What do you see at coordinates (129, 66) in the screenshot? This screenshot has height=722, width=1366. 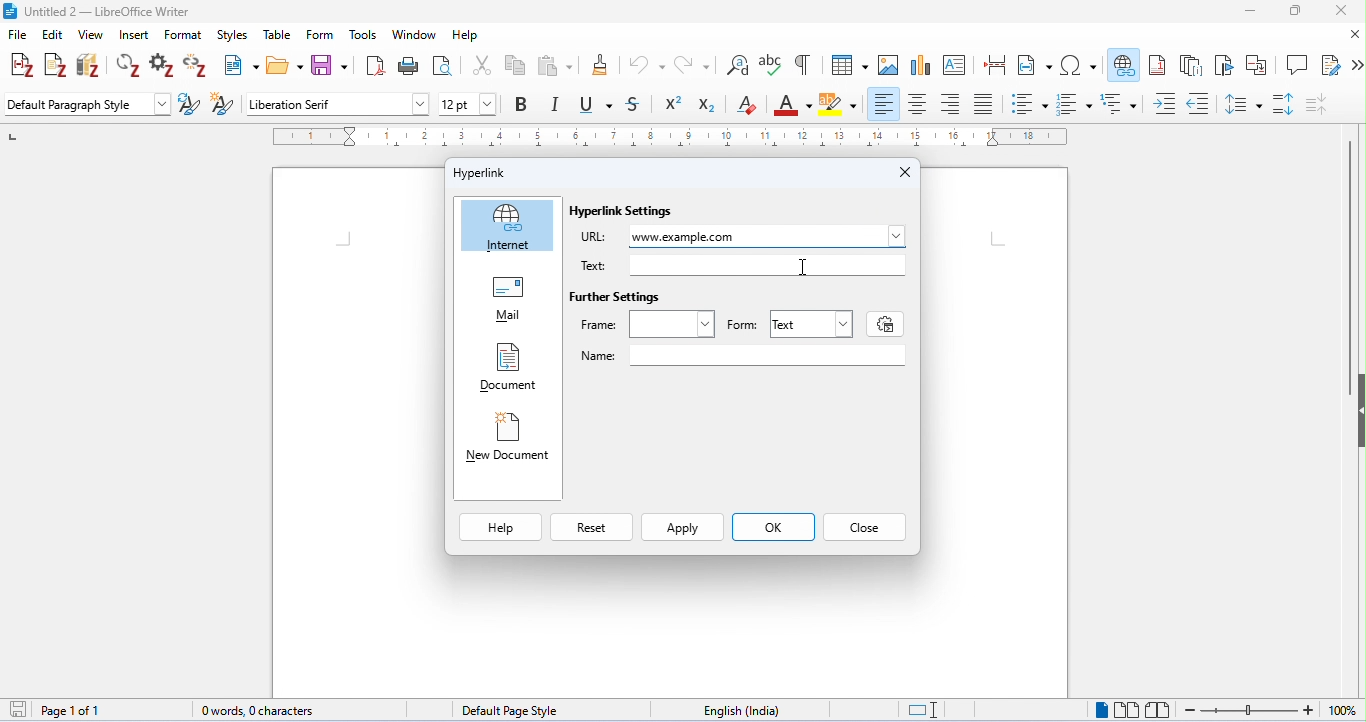 I see `refresh` at bounding box center [129, 66].